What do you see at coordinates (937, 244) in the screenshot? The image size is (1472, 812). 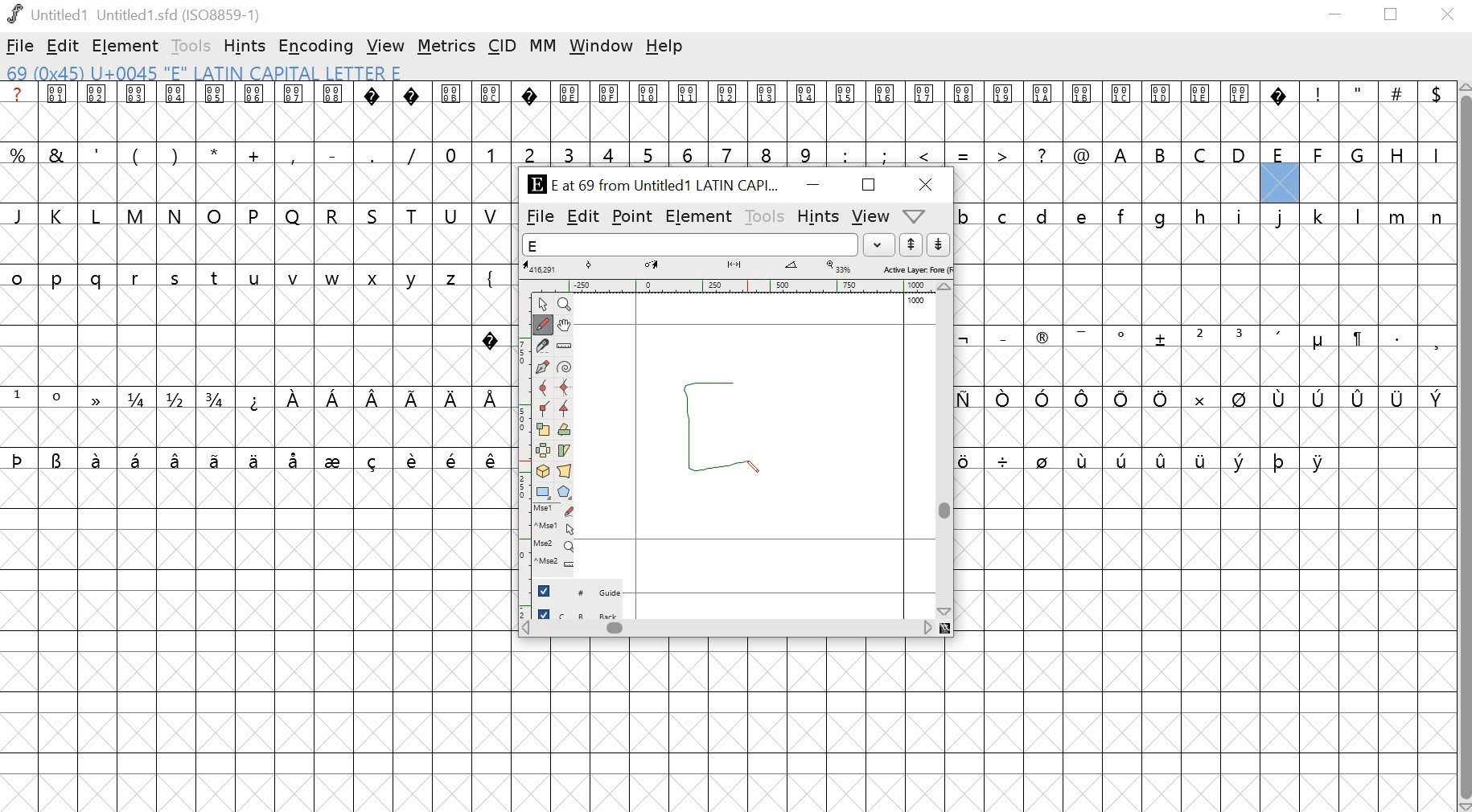 I see `down` at bounding box center [937, 244].